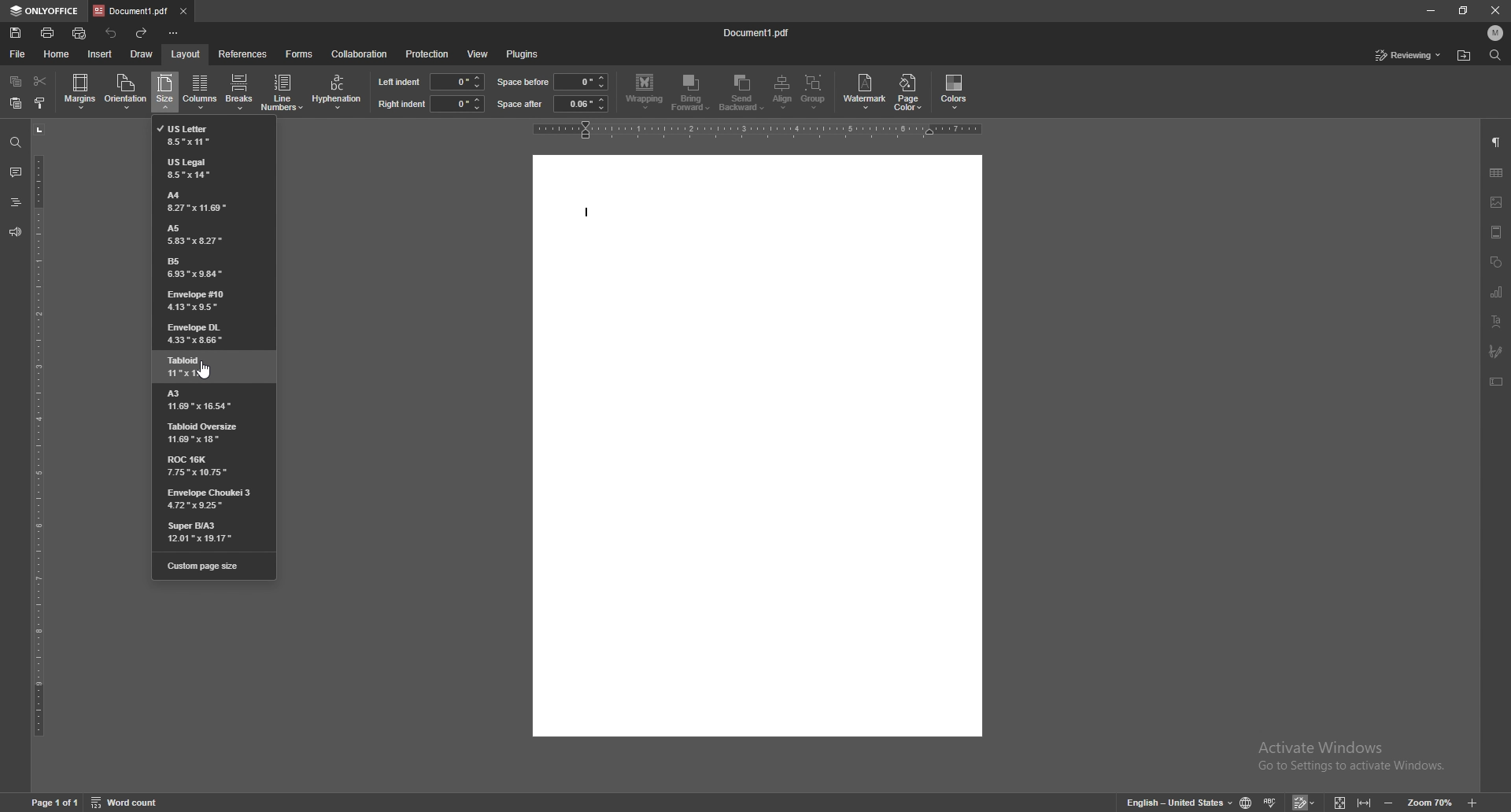 Image resolution: width=1511 pixels, height=812 pixels. What do you see at coordinates (523, 54) in the screenshot?
I see `plugins` at bounding box center [523, 54].